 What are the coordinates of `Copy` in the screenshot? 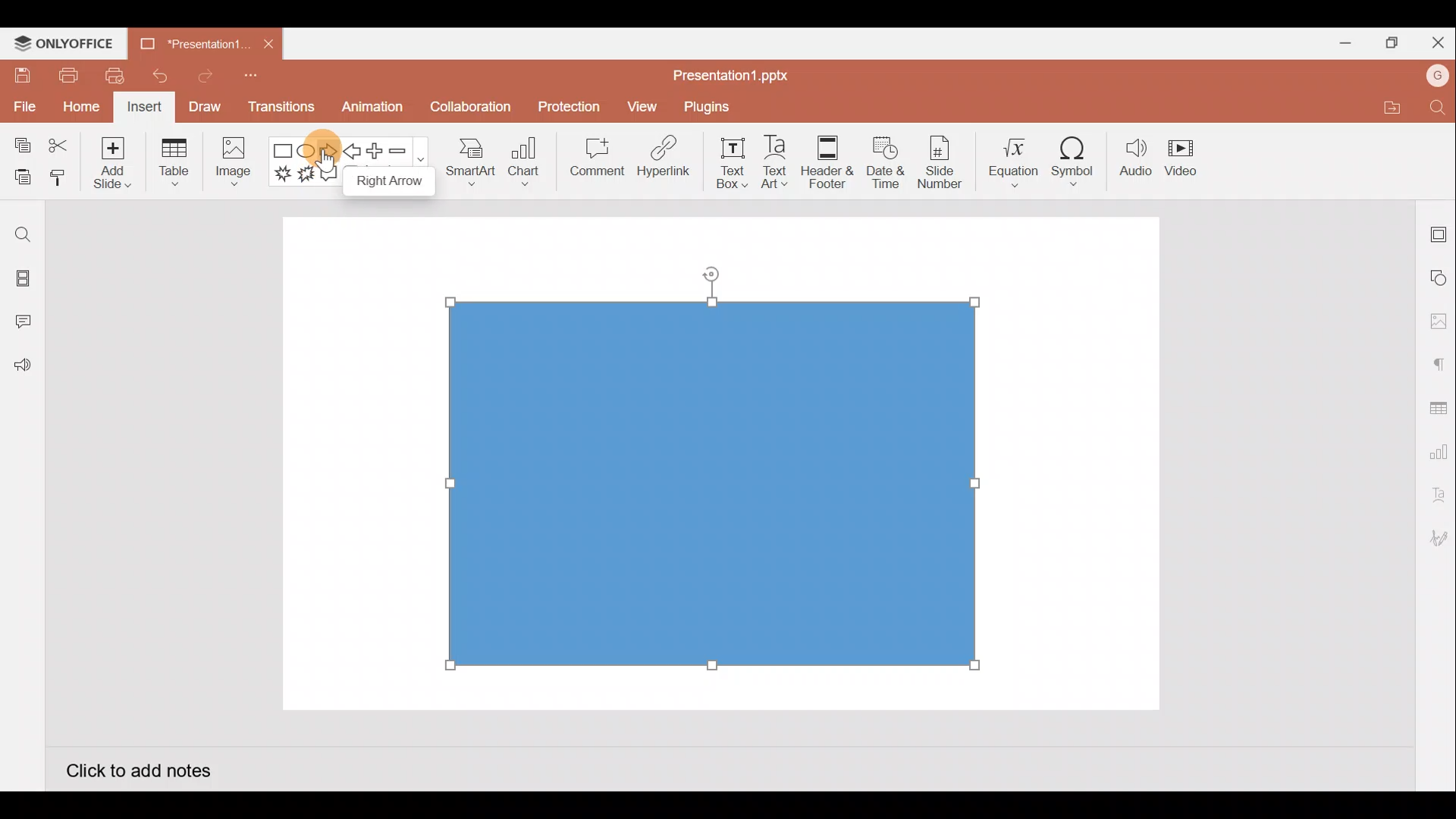 It's located at (20, 146).